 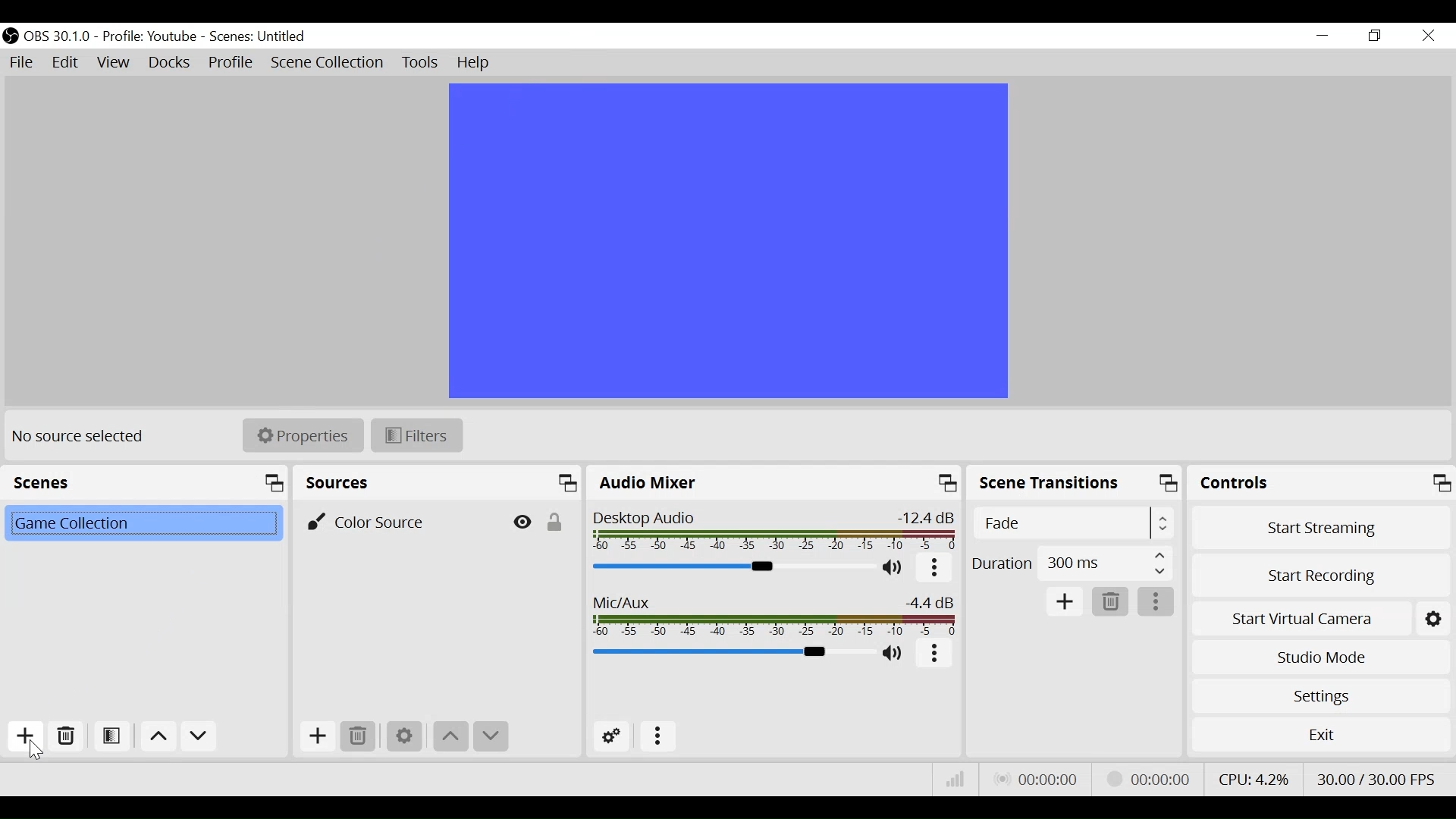 What do you see at coordinates (198, 736) in the screenshot?
I see `Move down` at bounding box center [198, 736].